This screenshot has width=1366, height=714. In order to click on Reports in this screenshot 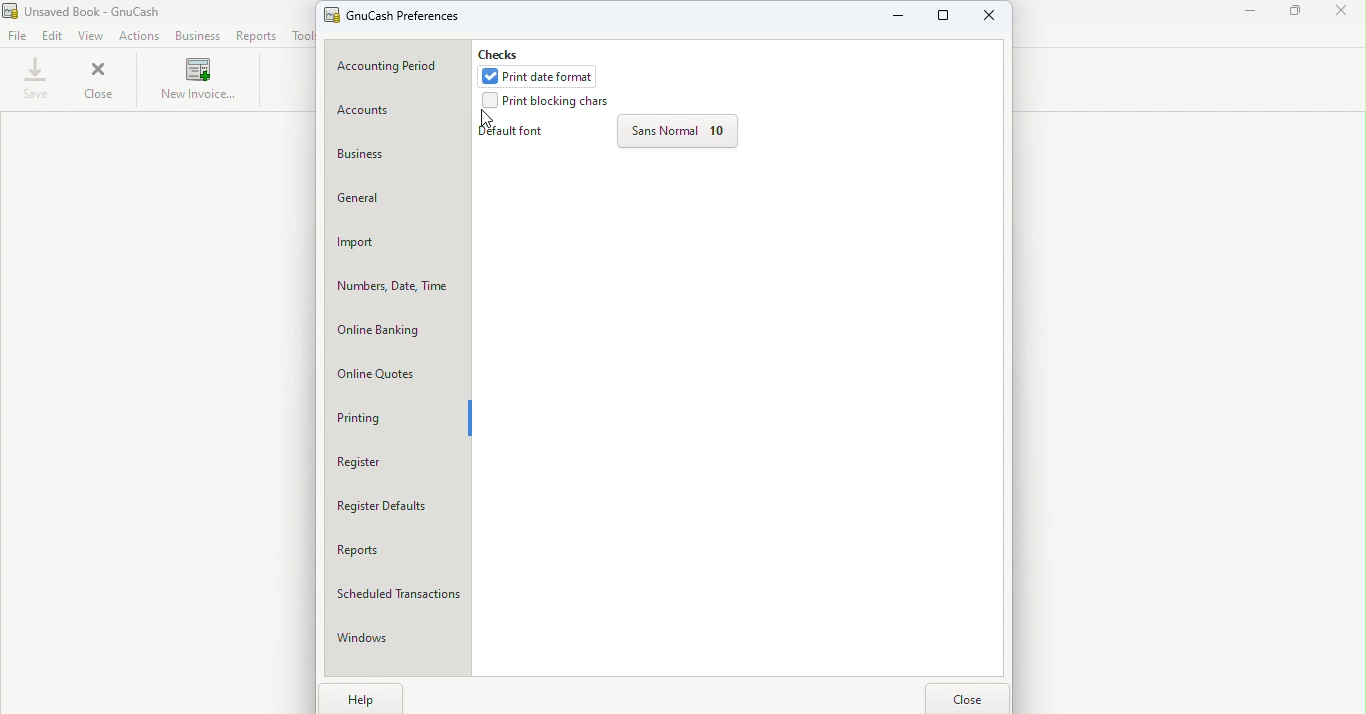, I will do `click(400, 555)`.